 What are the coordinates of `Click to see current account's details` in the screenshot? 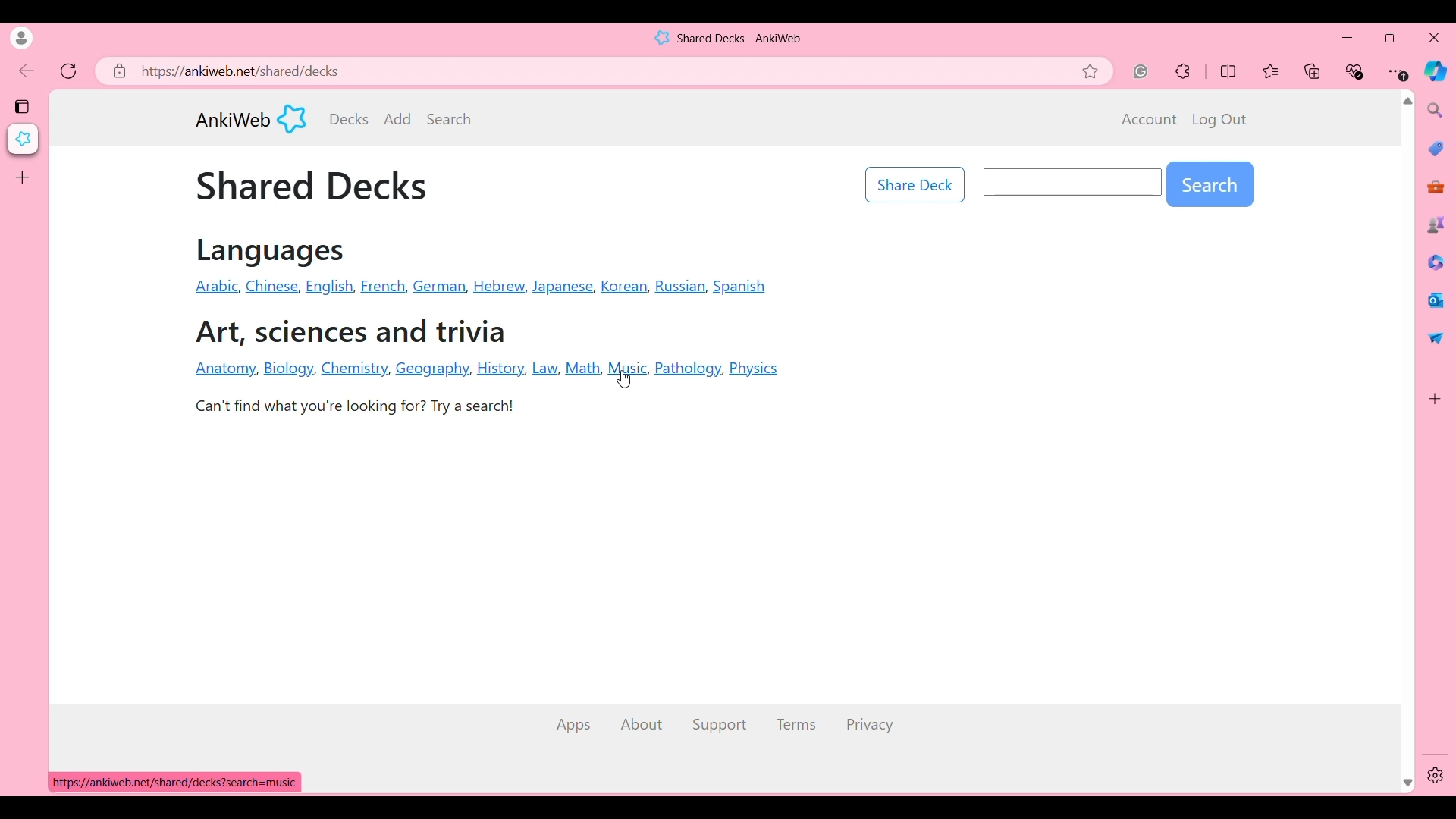 It's located at (21, 38).